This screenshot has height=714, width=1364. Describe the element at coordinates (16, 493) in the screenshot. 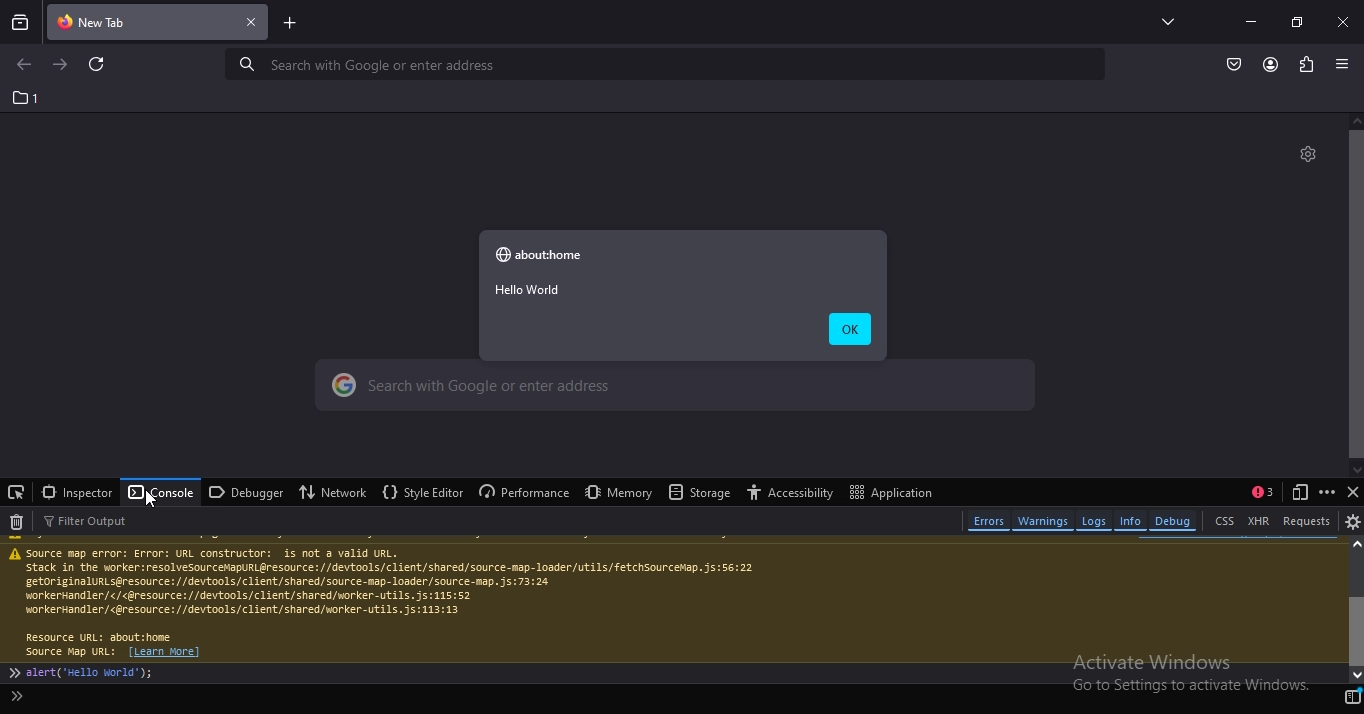

I see `pick an element from the page` at that location.